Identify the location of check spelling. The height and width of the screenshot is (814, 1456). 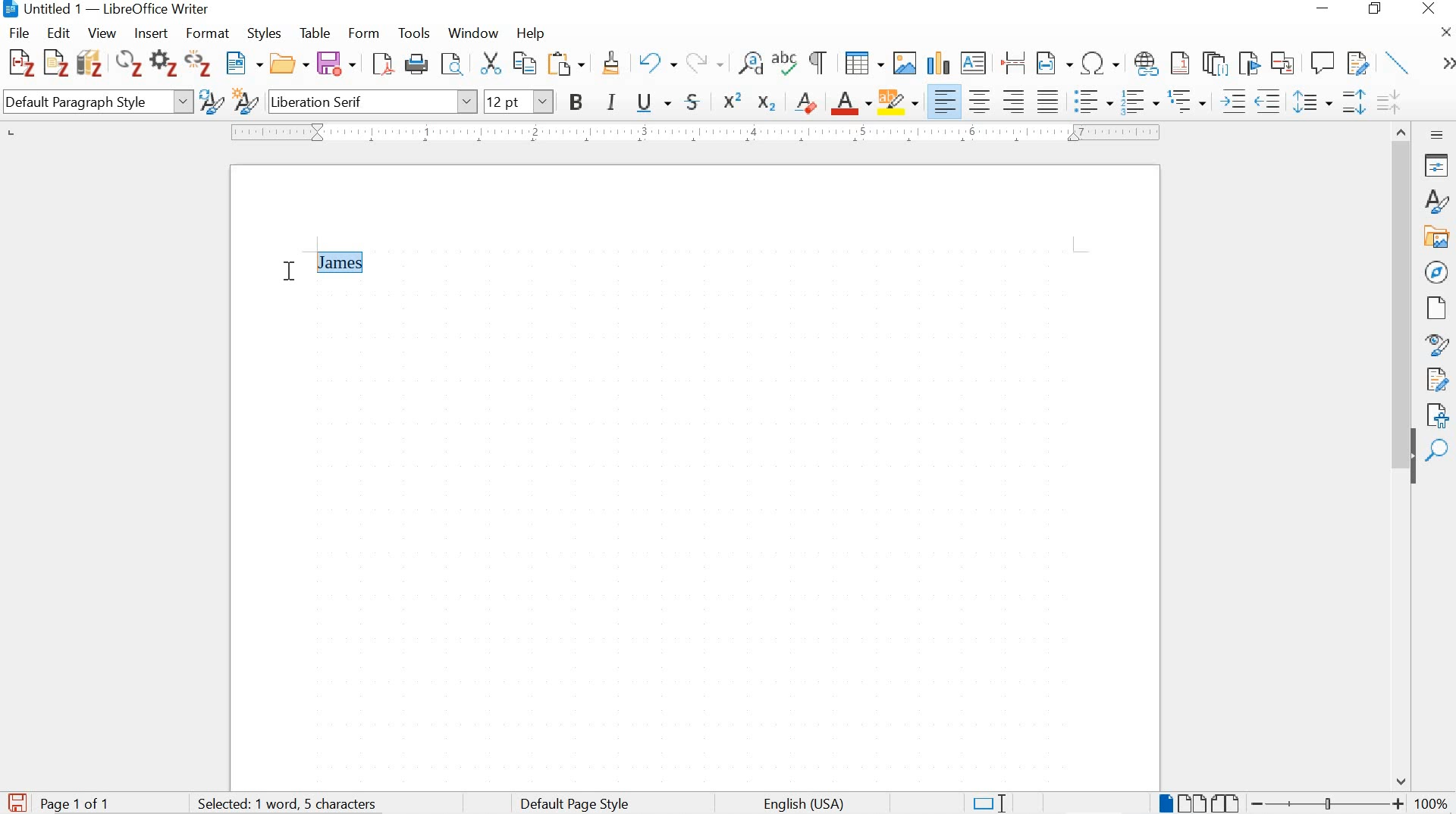
(786, 65).